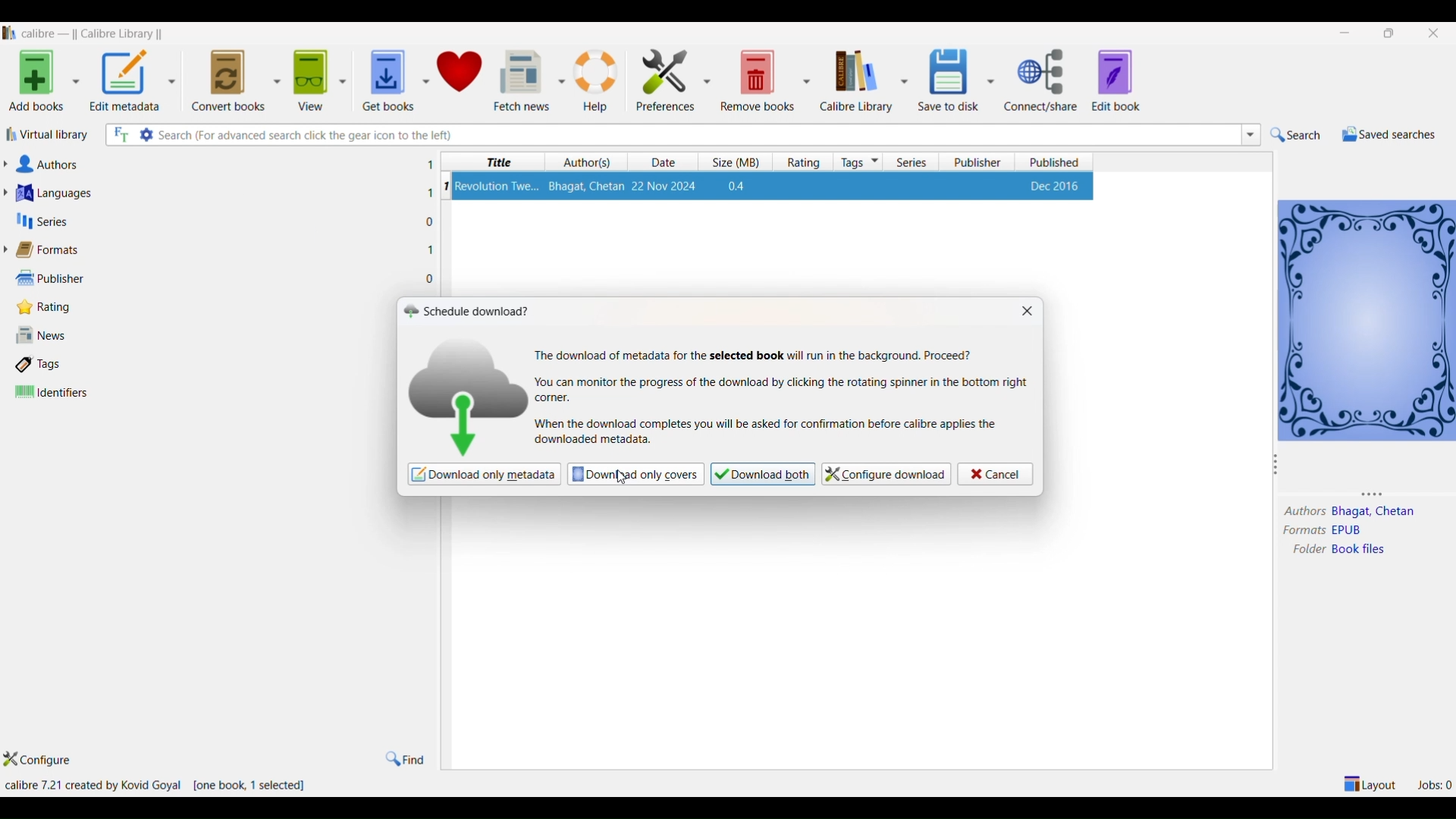 This screenshot has height=819, width=1456. What do you see at coordinates (430, 222) in the screenshot?
I see `0` at bounding box center [430, 222].